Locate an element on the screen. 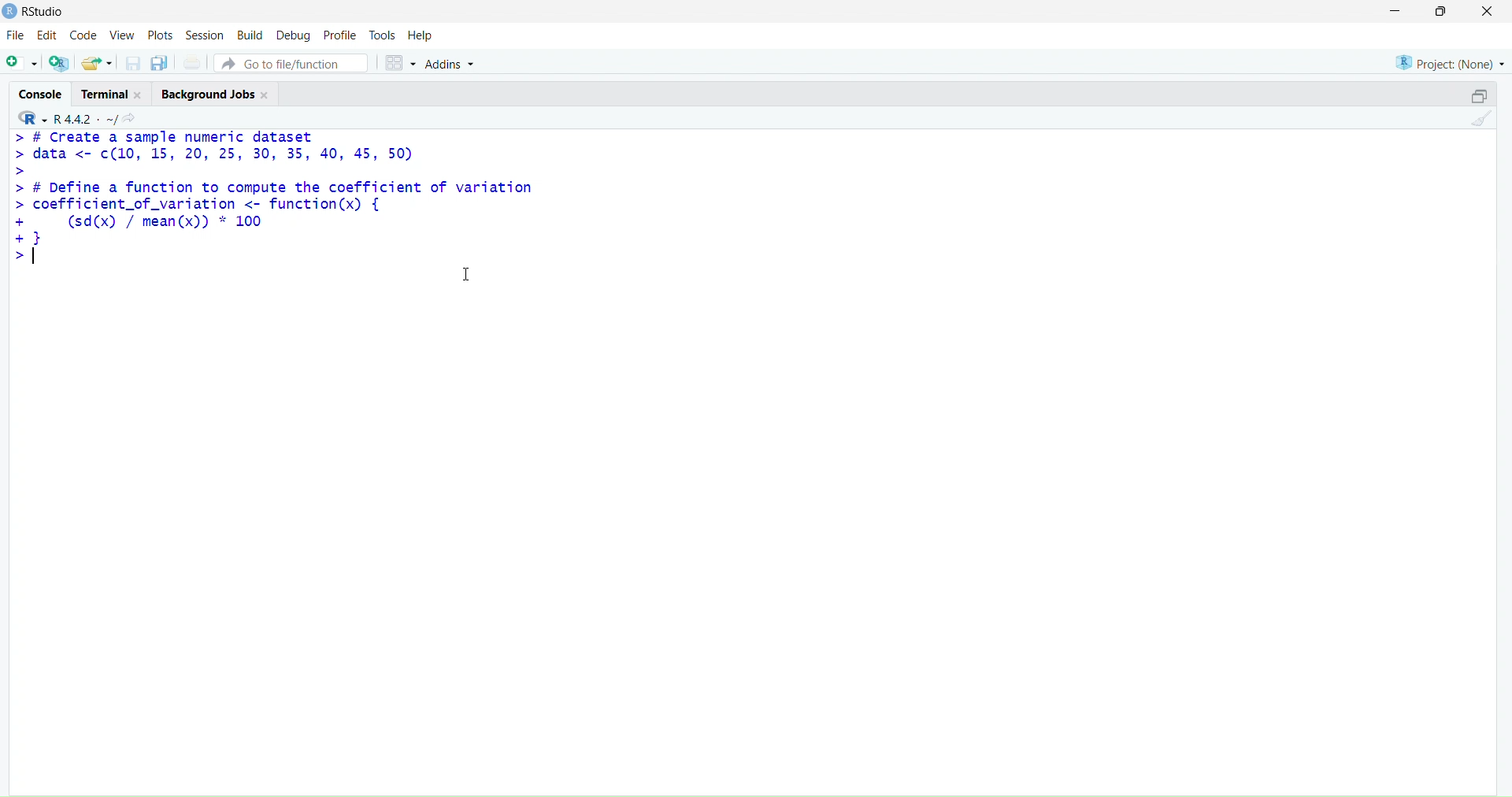 This screenshot has height=797, width=1512. go to file/function is located at coordinates (291, 64).